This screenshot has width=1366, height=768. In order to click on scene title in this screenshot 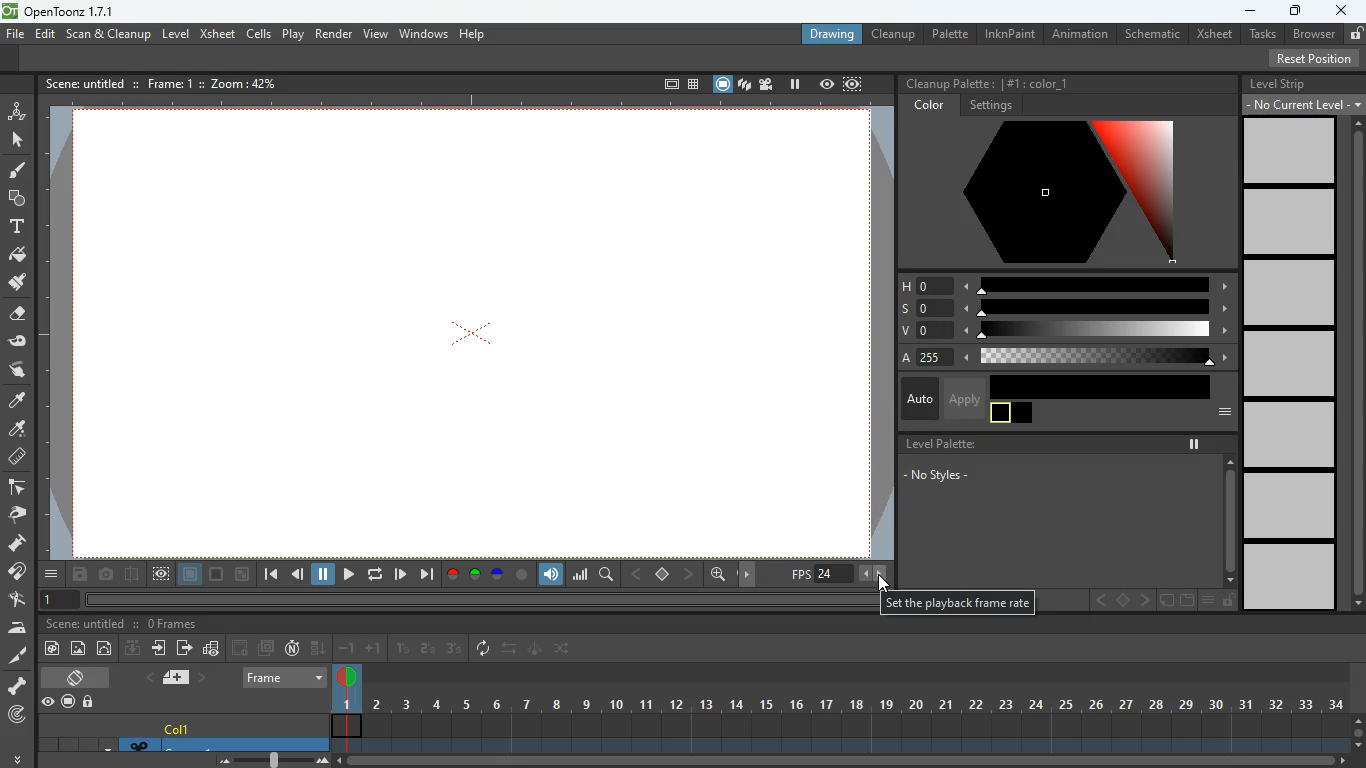, I will do `click(85, 85)`.